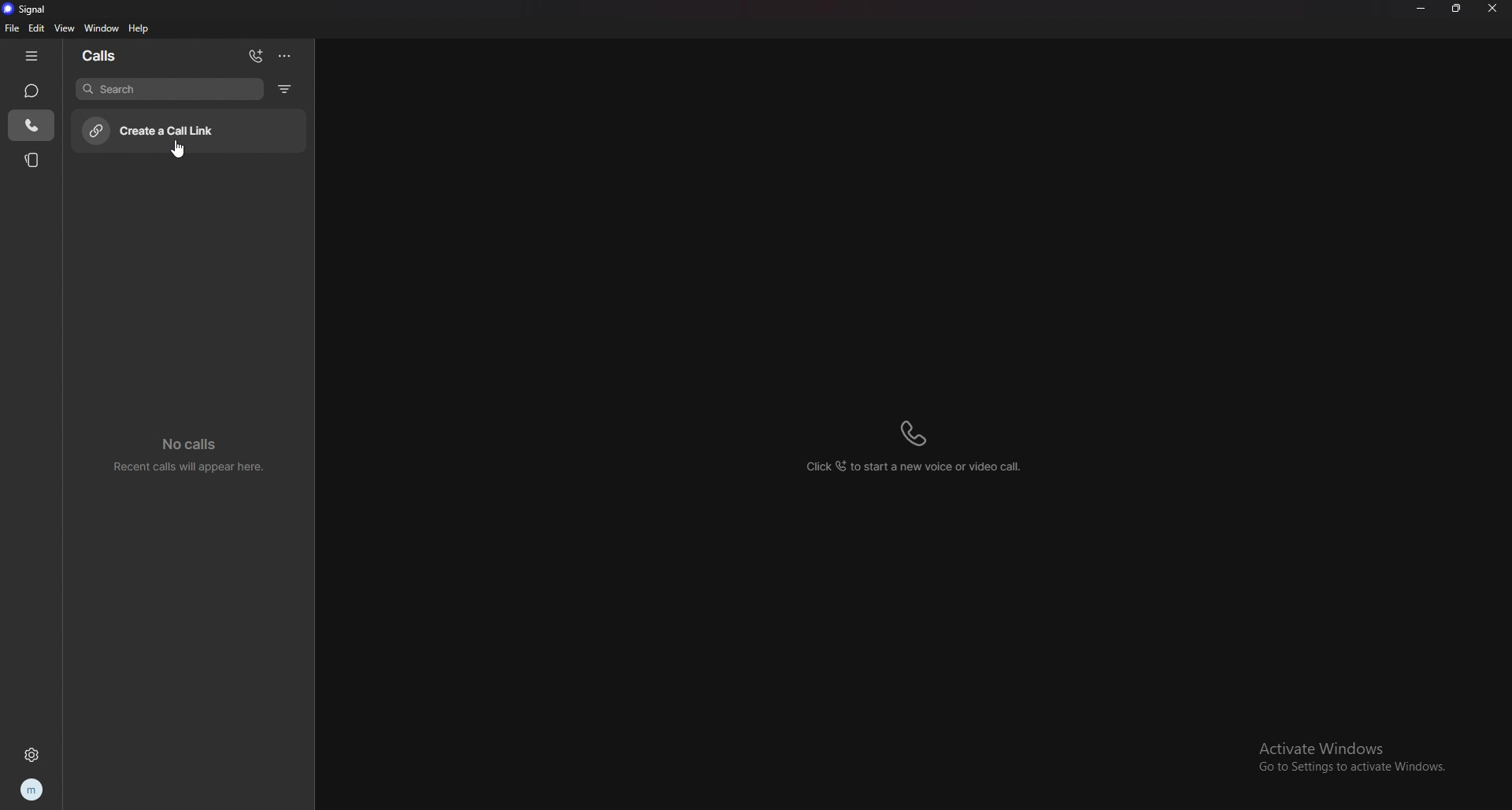 This screenshot has width=1512, height=810. What do you see at coordinates (256, 56) in the screenshot?
I see `add call` at bounding box center [256, 56].